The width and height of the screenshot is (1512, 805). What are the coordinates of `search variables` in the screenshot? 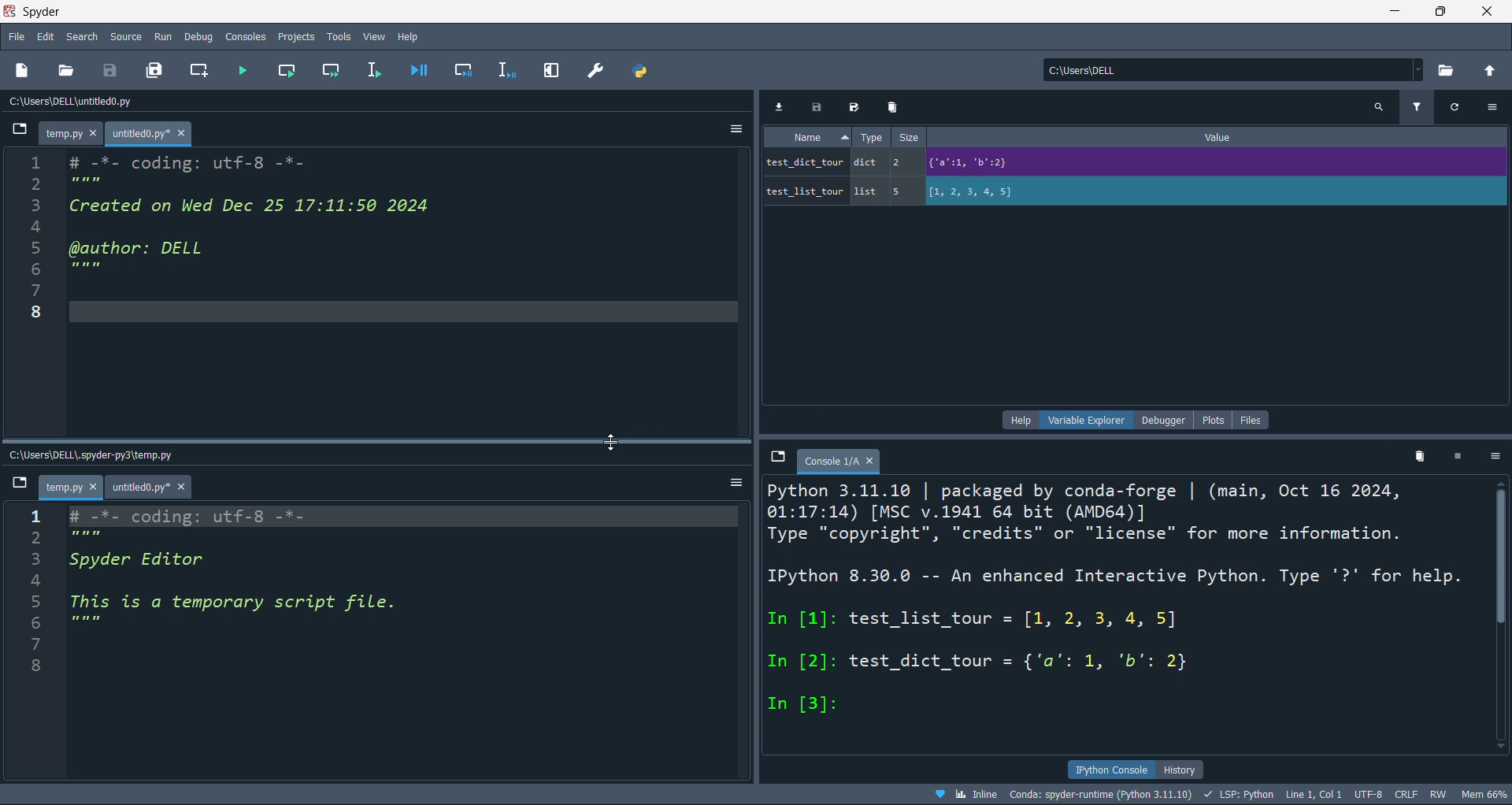 It's located at (1378, 106).